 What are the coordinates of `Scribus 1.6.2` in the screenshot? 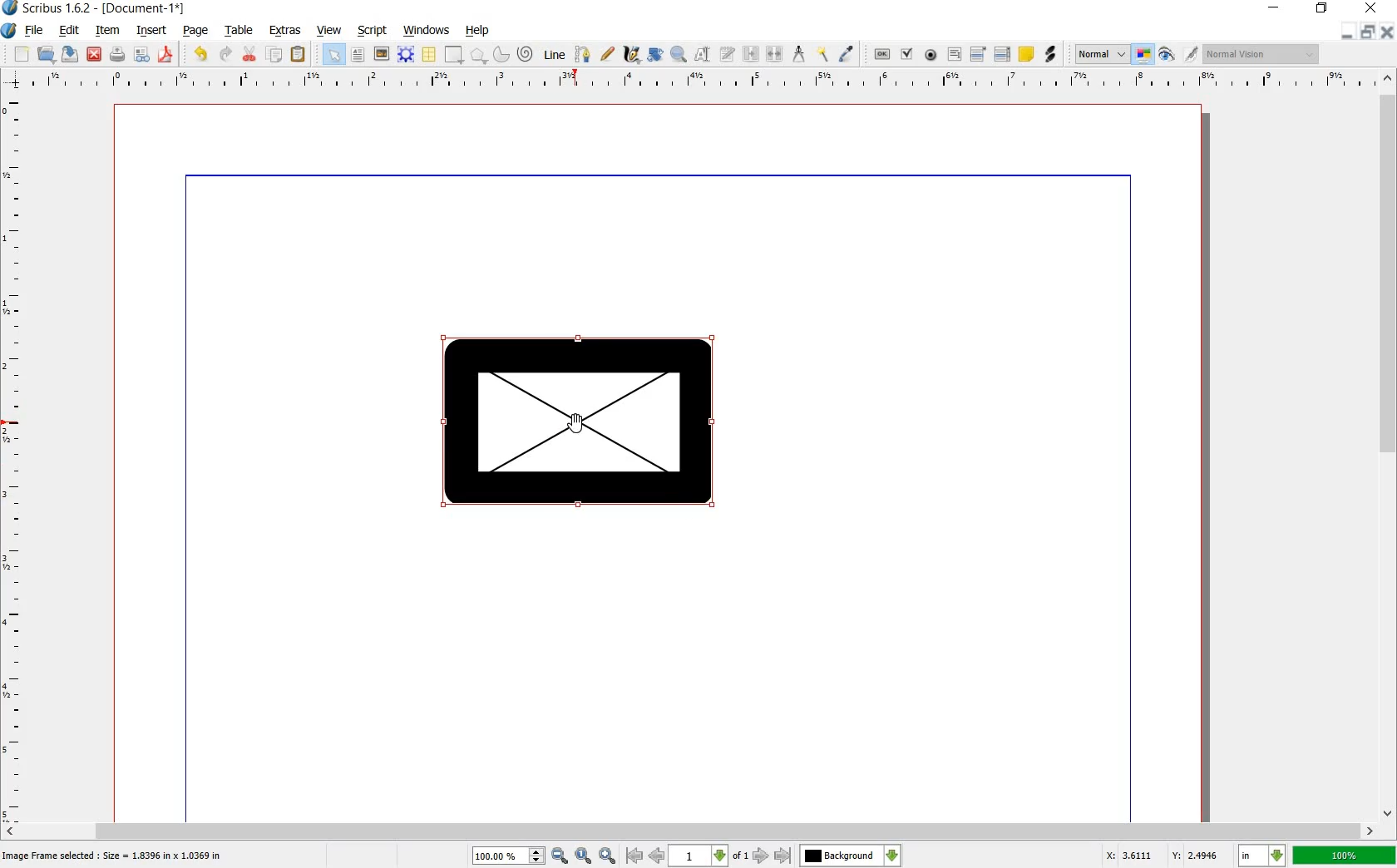 It's located at (47, 8).